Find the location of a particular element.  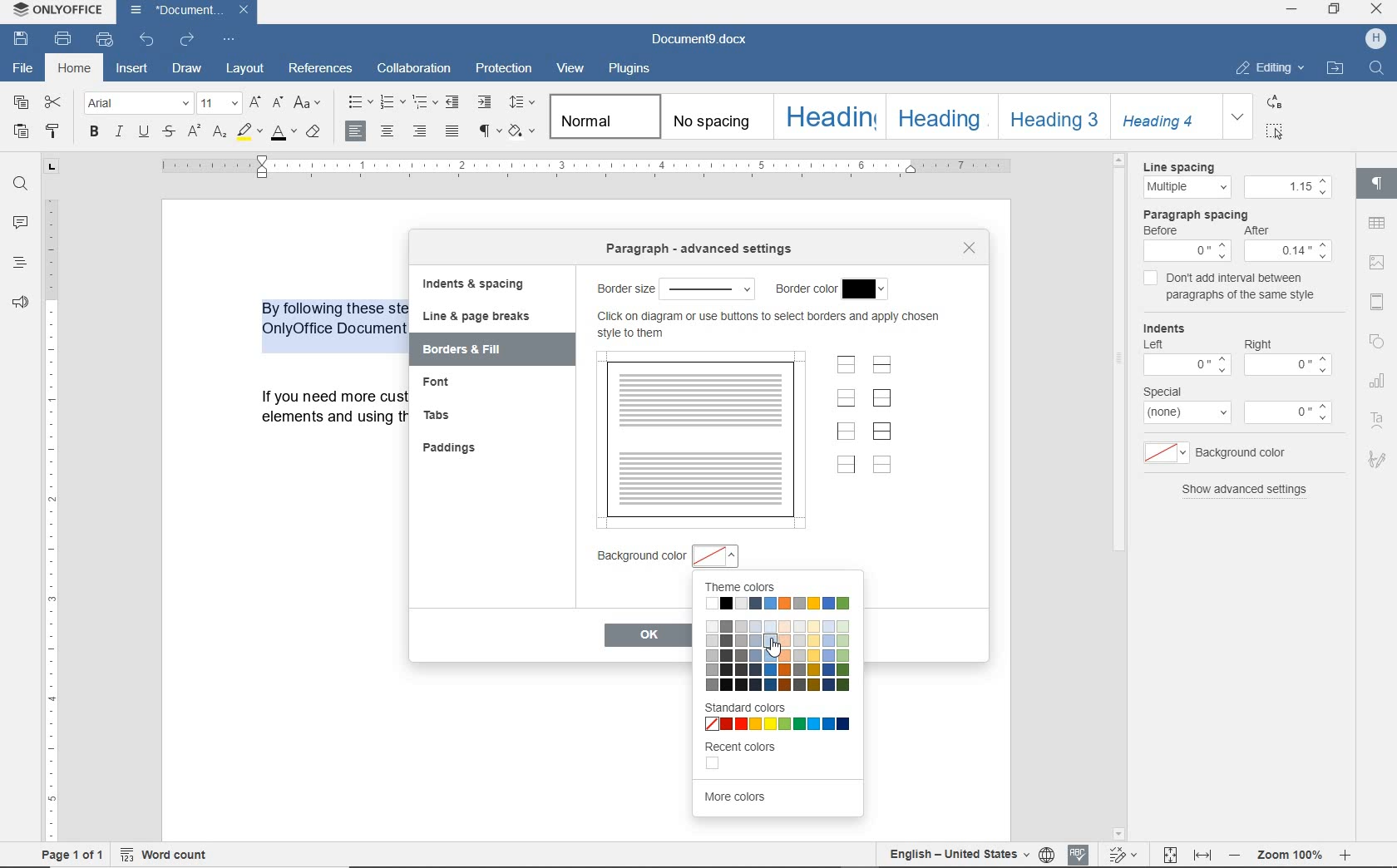

color shades is located at coordinates (779, 644).